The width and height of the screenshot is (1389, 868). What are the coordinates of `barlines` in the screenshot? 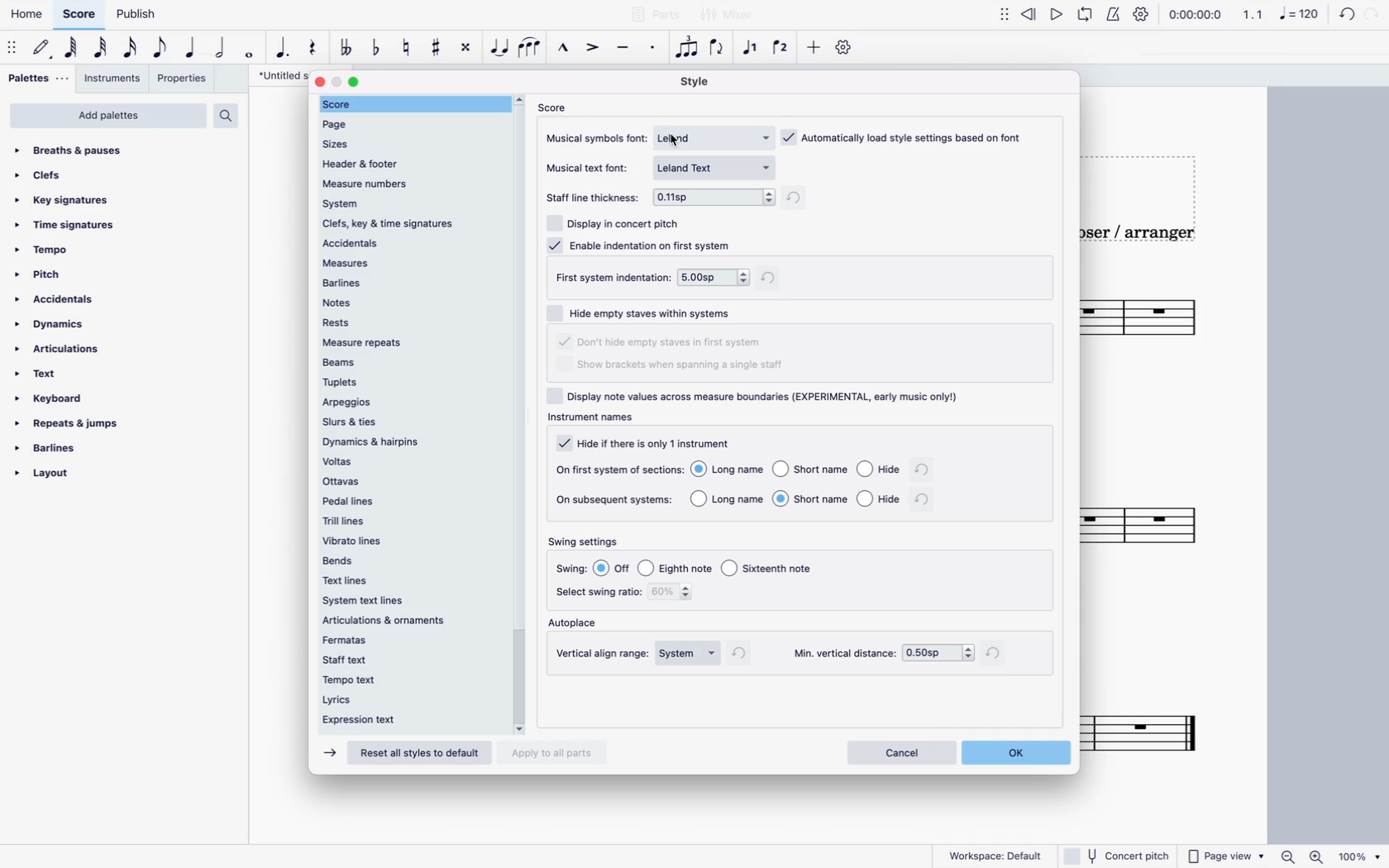 It's located at (53, 450).